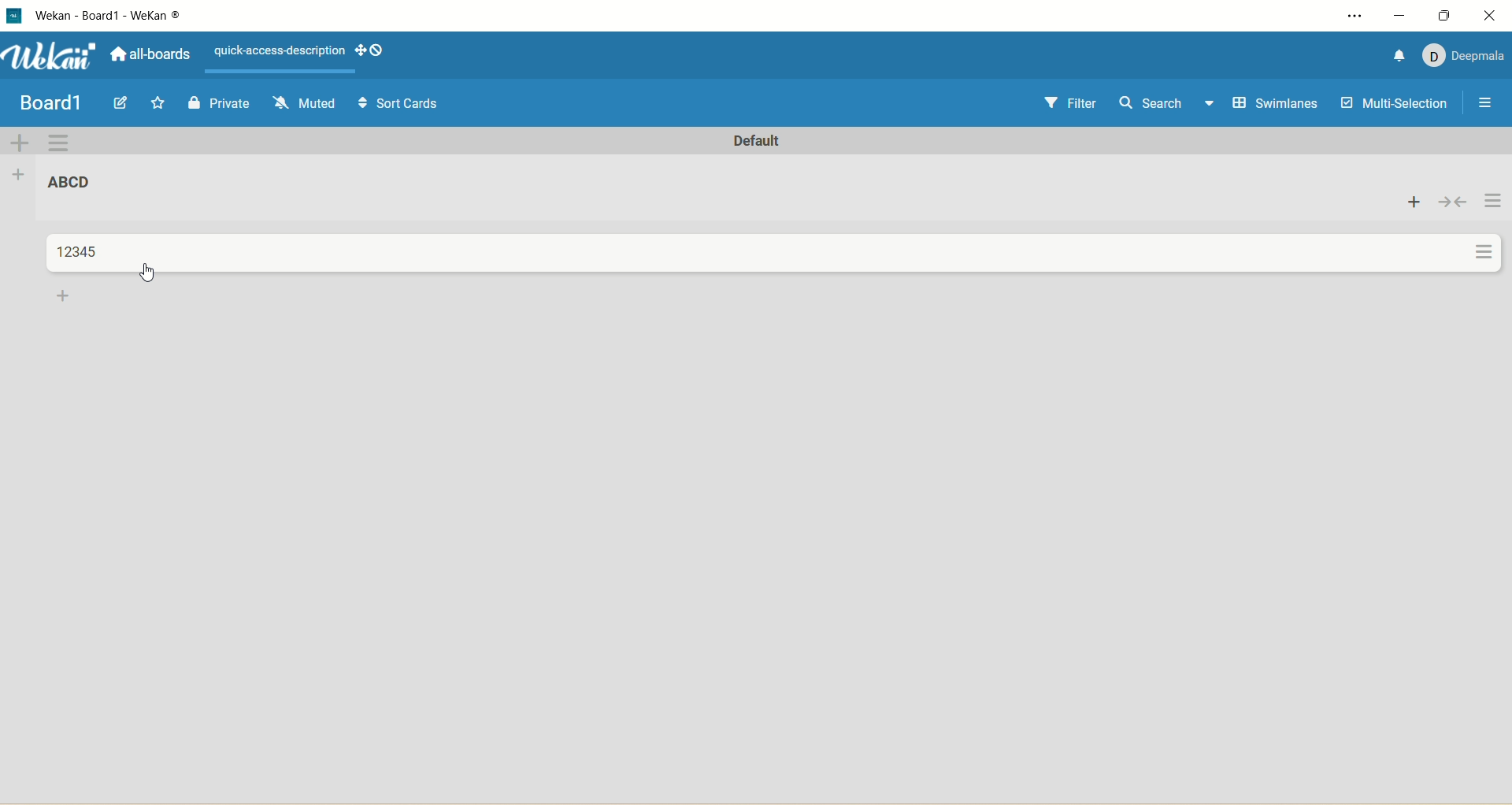 The image size is (1512, 805). I want to click on collapse, so click(1451, 202).